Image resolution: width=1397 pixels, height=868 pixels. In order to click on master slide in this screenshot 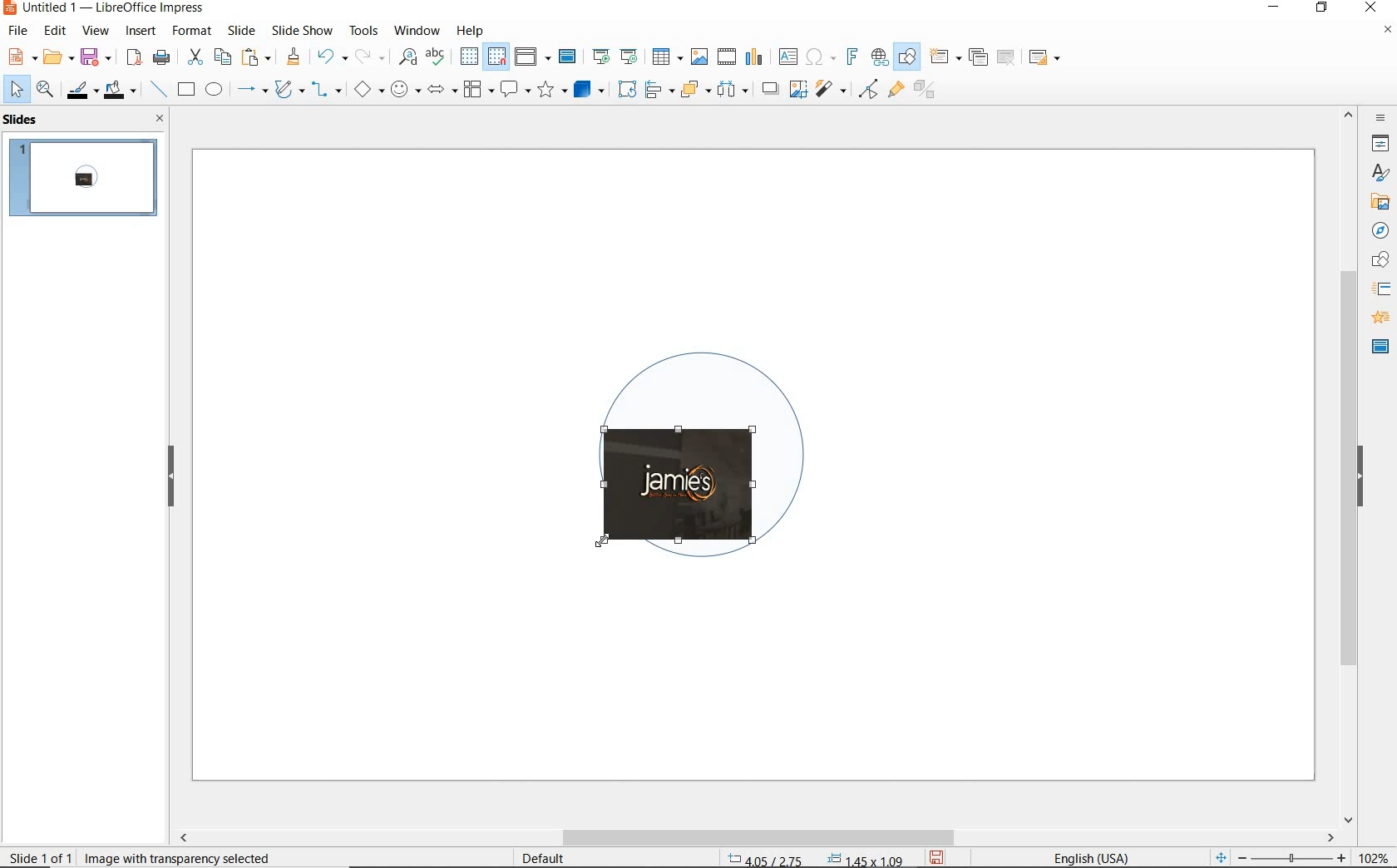, I will do `click(1380, 345)`.